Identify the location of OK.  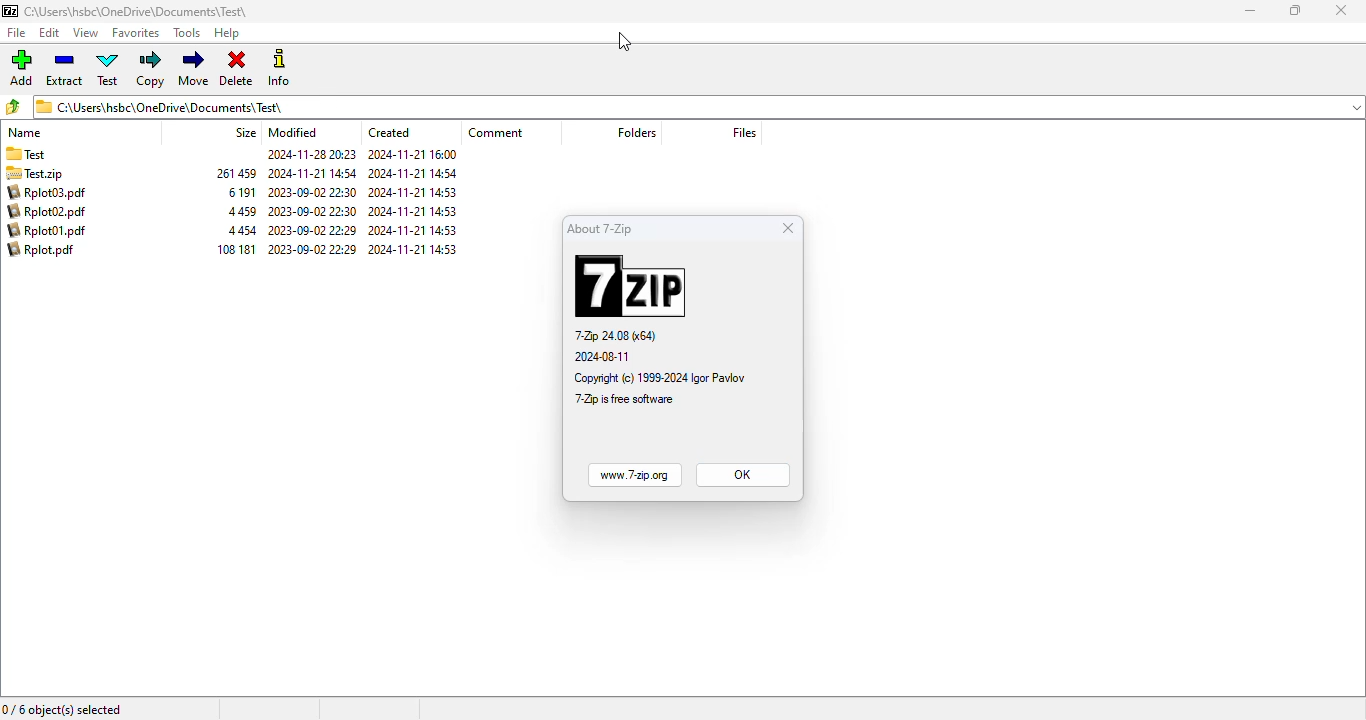
(742, 475).